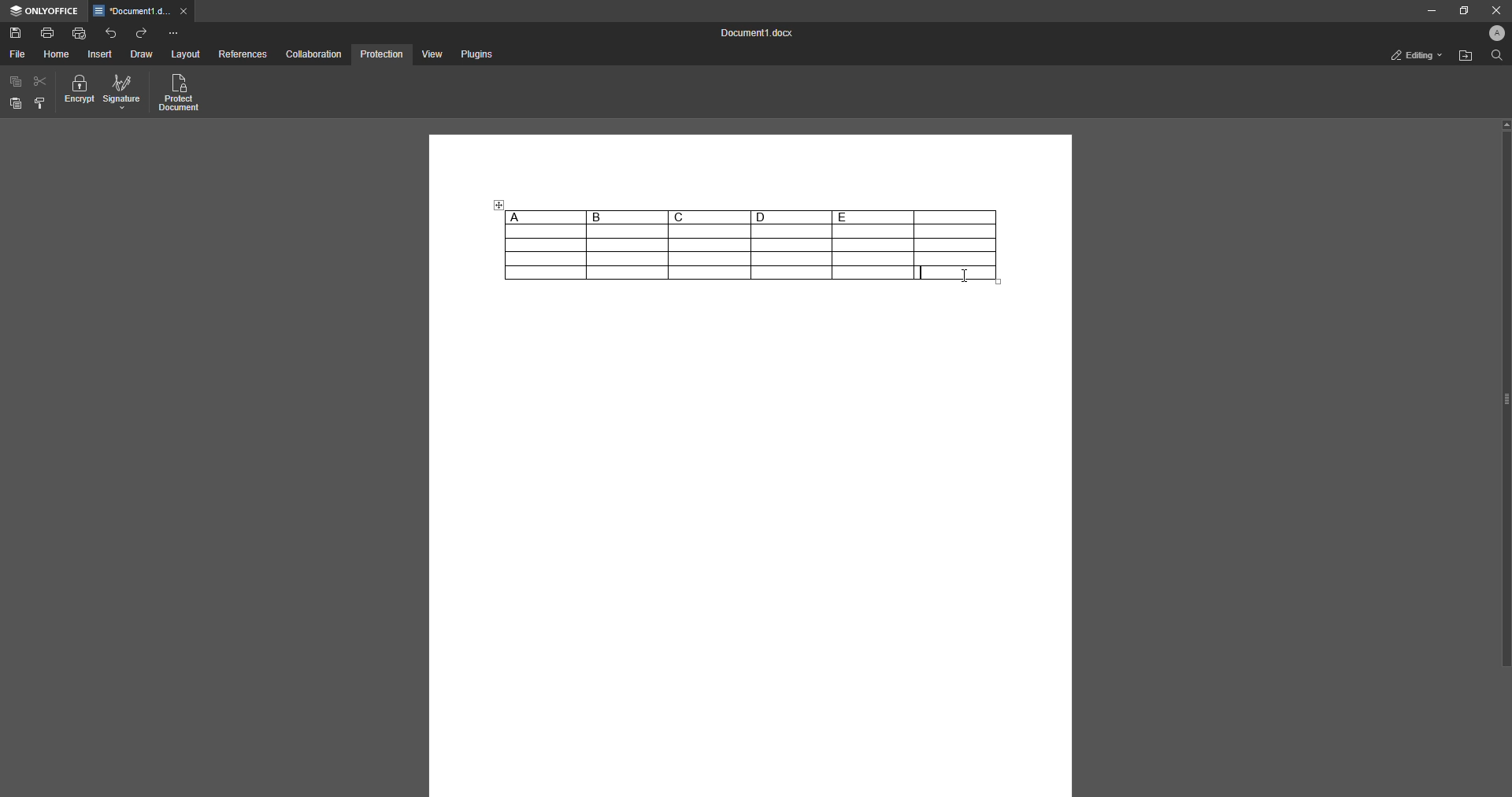 This screenshot has width=1512, height=797. What do you see at coordinates (122, 93) in the screenshot?
I see `Signature` at bounding box center [122, 93].